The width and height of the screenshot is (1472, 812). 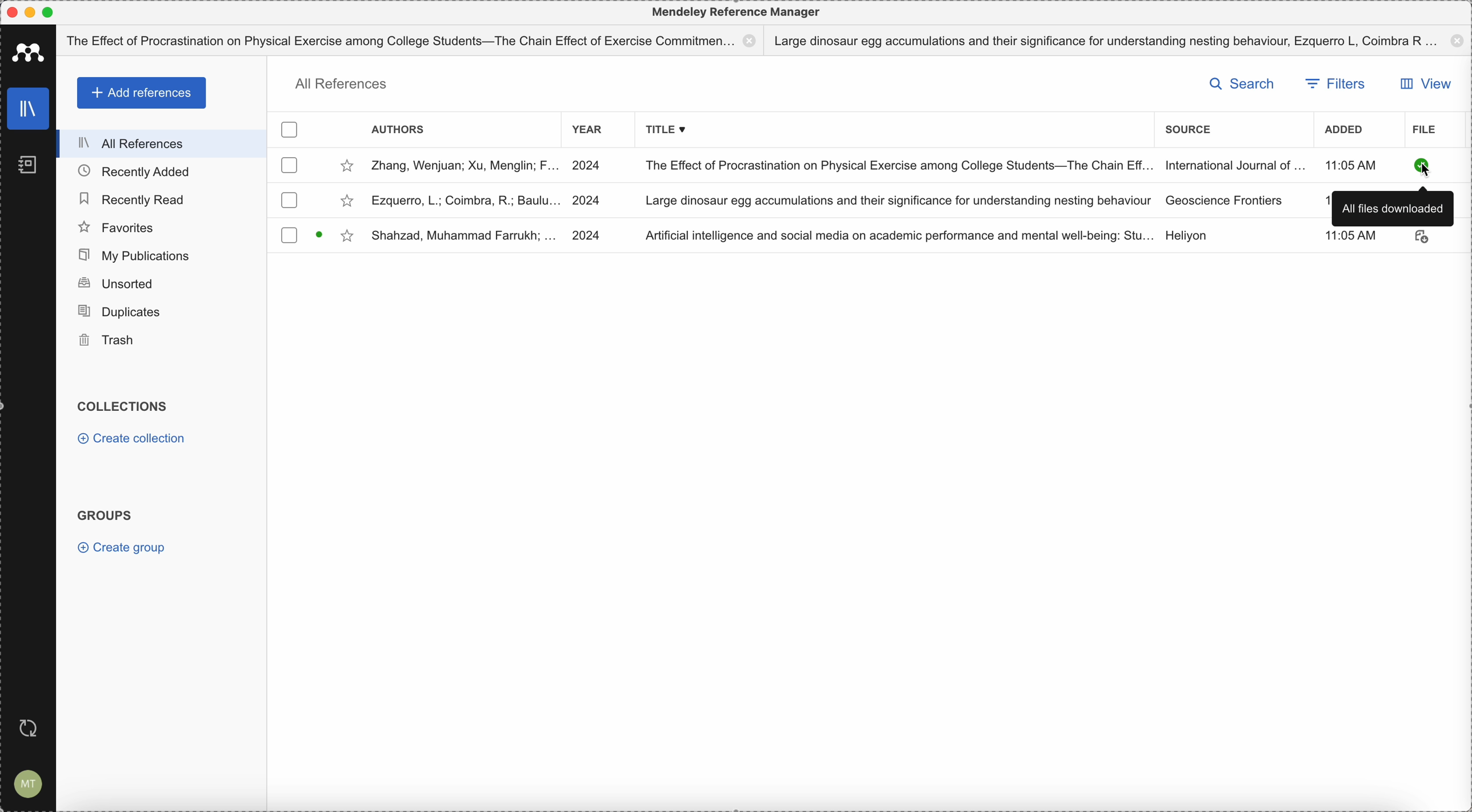 What do you see at coordinates (1356, 234) in the screenshot?
I see `11:05 AM` at bounding box center [1356, 234].